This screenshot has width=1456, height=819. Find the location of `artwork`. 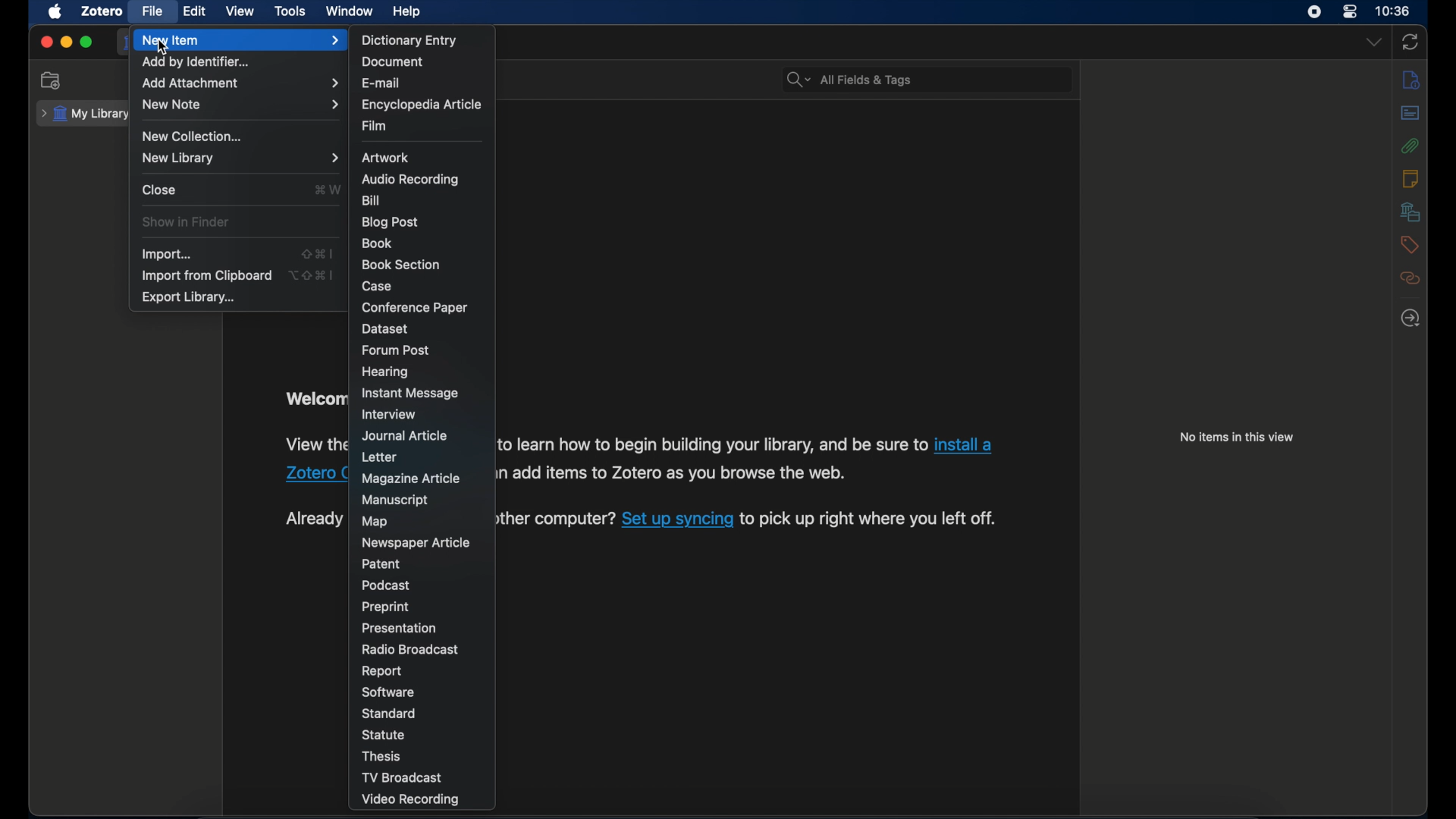

artwork is located at coordinates (385, 158).